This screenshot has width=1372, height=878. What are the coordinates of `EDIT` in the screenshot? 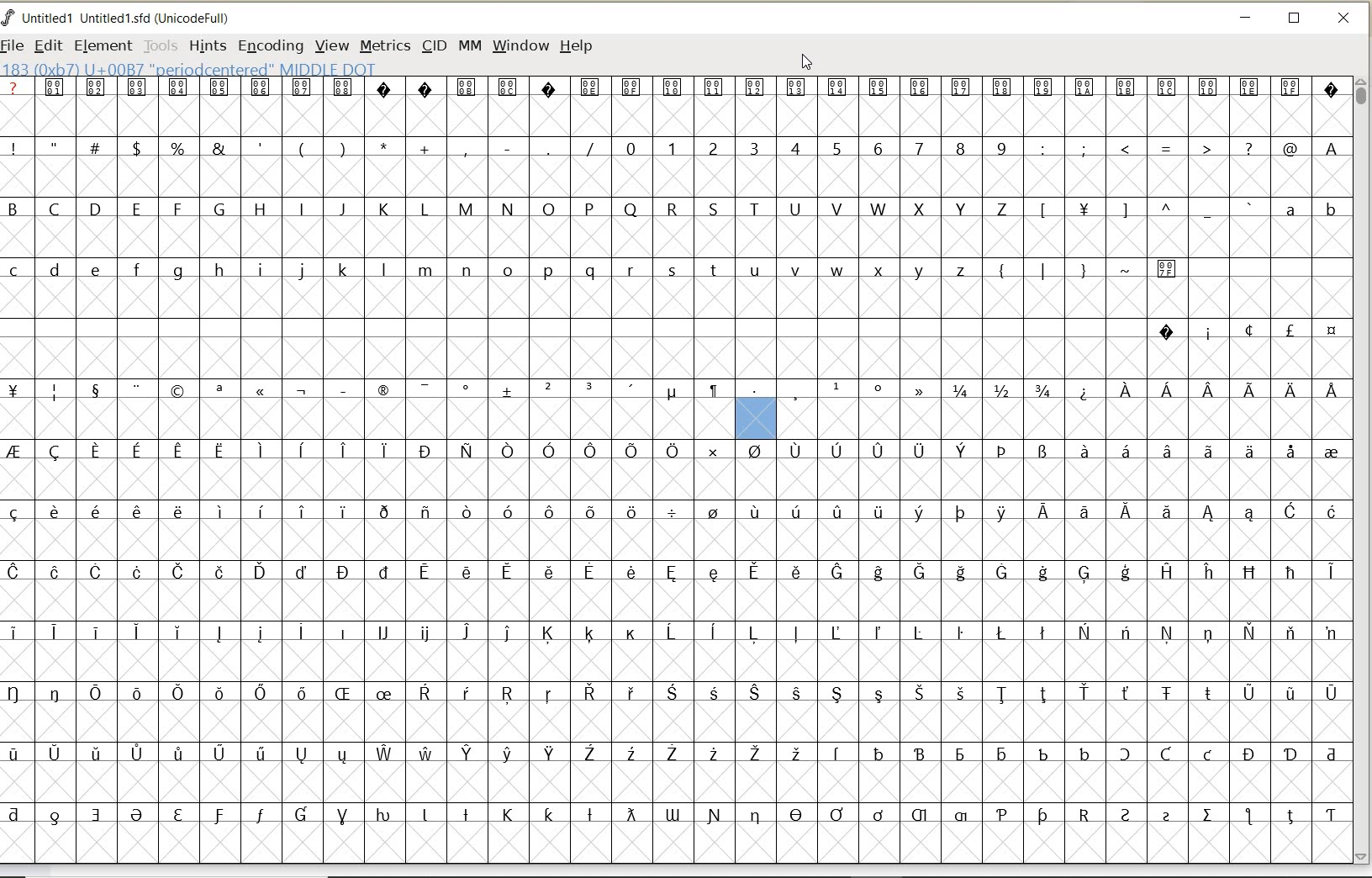 It's located at (48, 47).